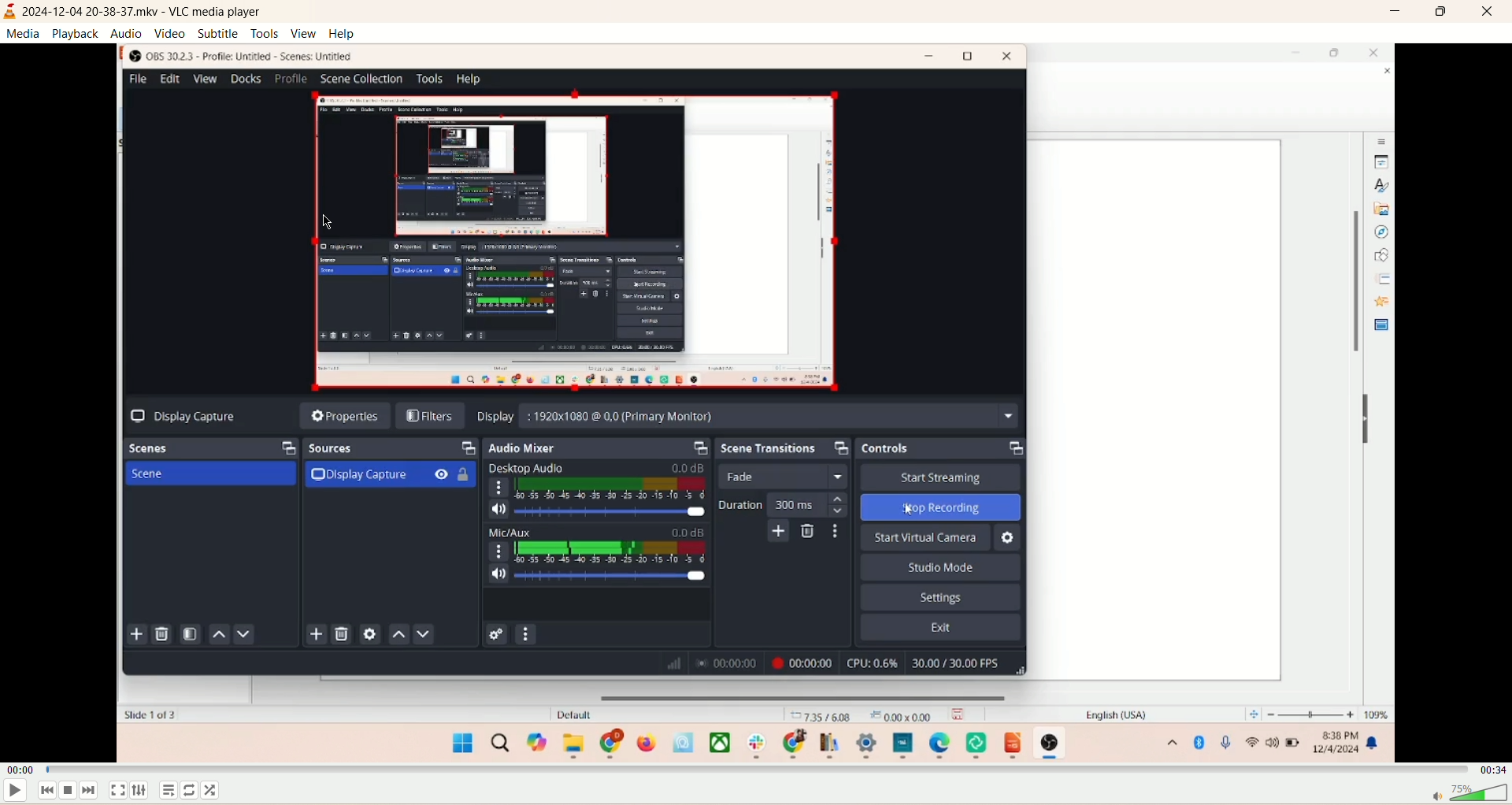 This screenshot has height=805, width=1512. What do you see at coordinates (153, 13) in the screenshot?
I see `2024-12-04 20-38-37.mkv - VLC media player` at bounding box center [153, 13].